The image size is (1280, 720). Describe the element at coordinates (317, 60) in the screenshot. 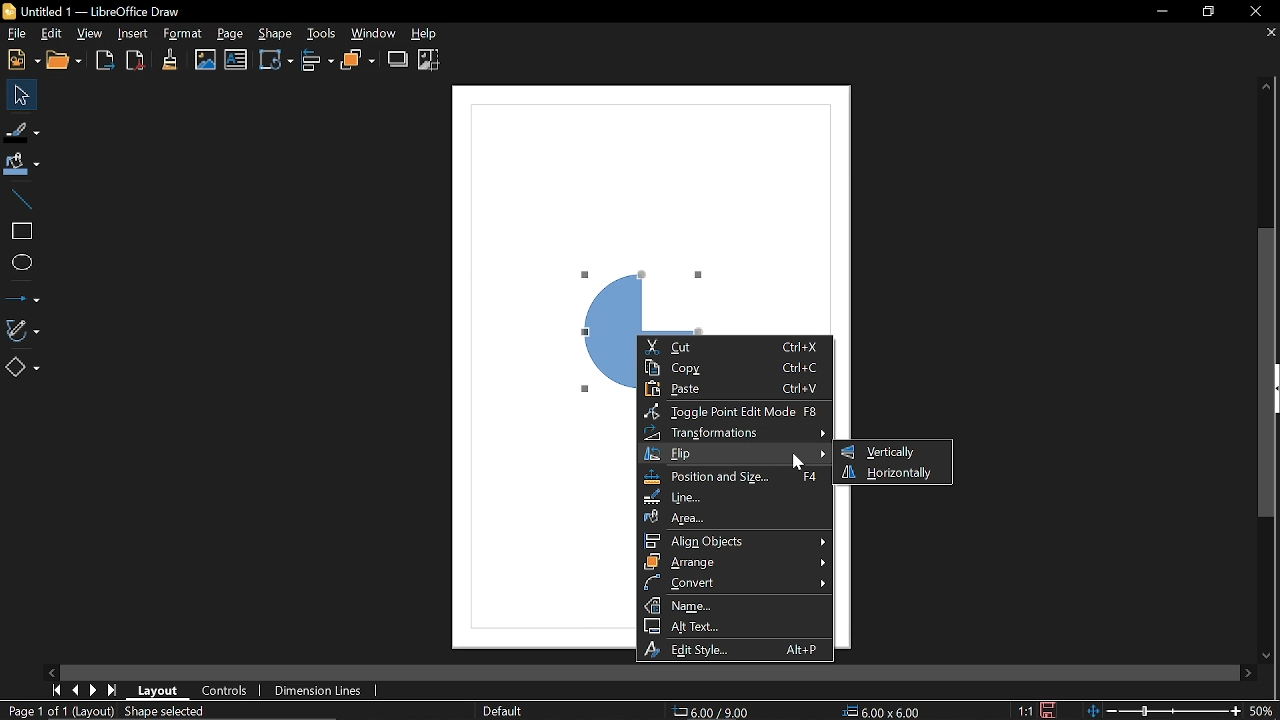

I see `Allign` at that location.